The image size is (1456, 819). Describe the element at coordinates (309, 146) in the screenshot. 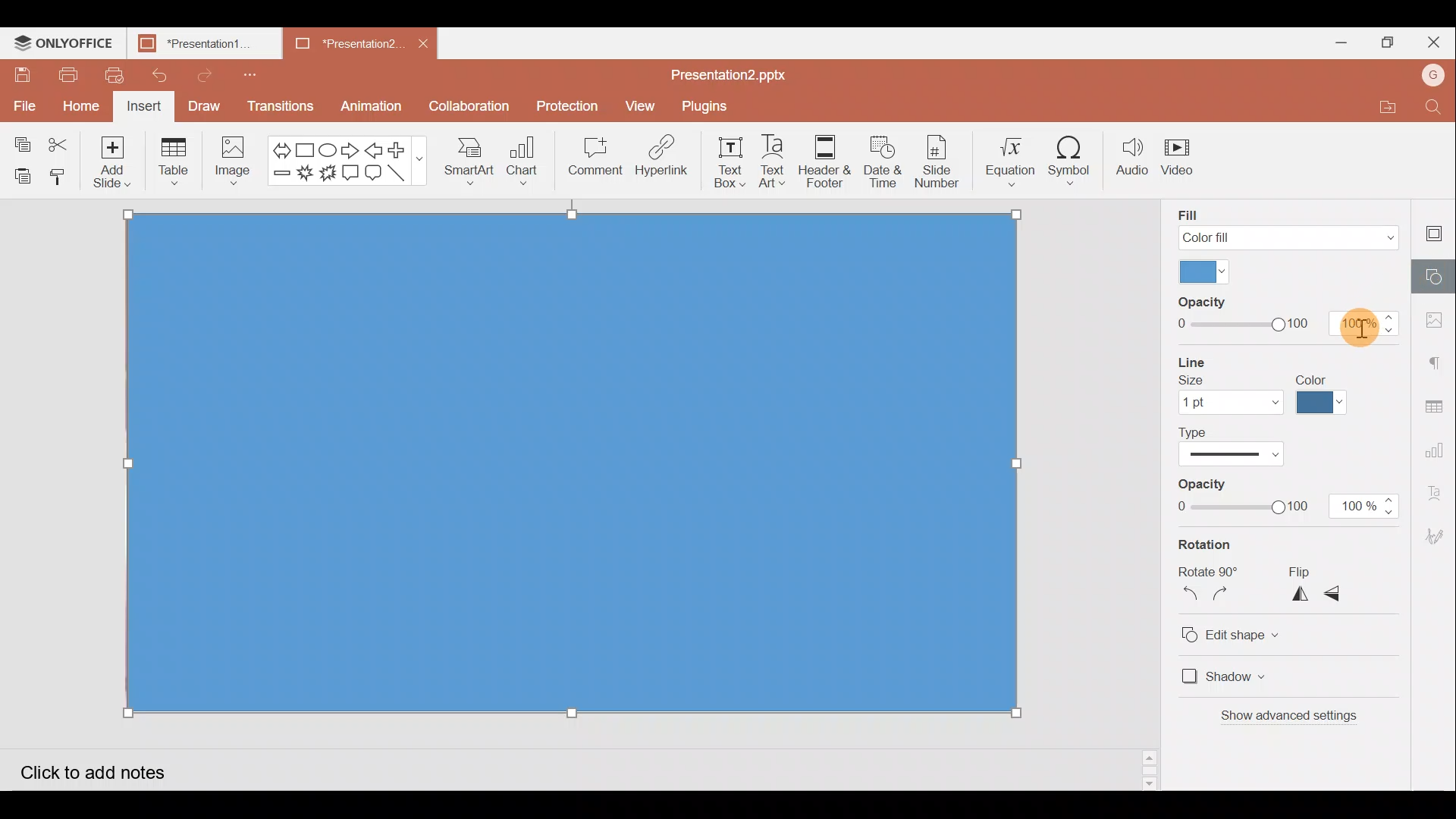

I see `Rectangle` at that location.